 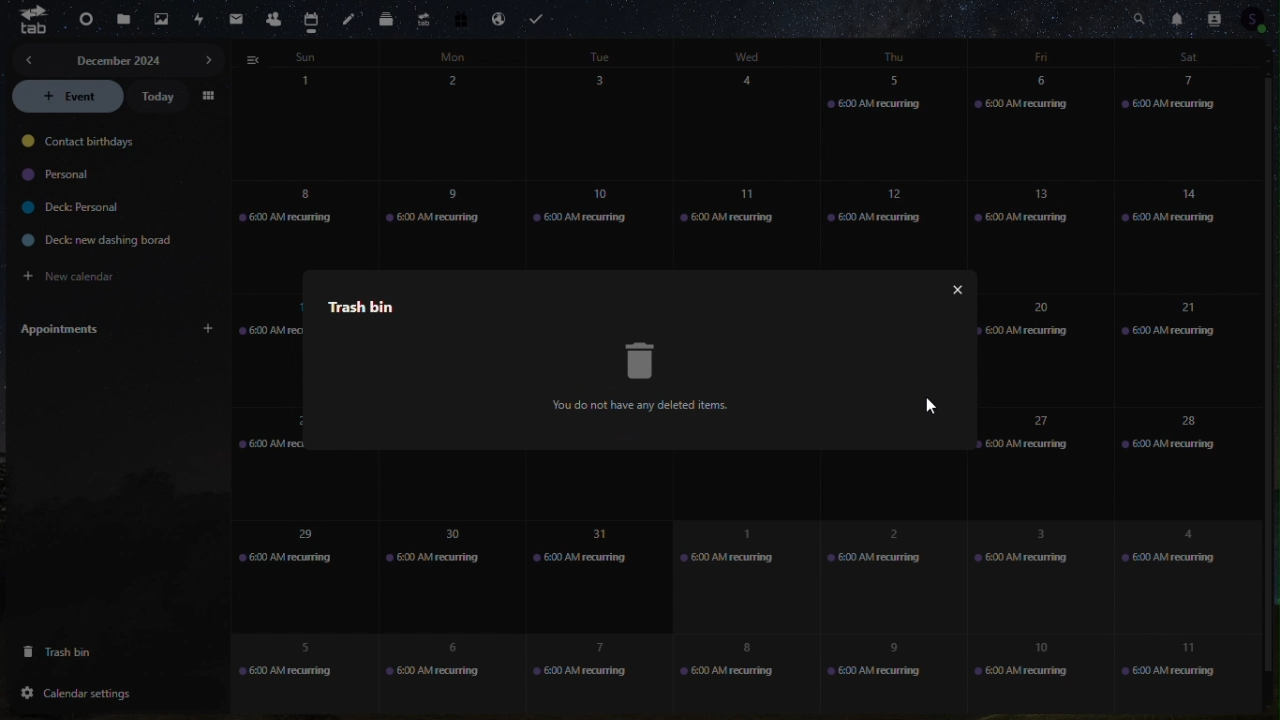 What do you see at coordinates (541, 16) in the screenshot?
I see `Task` at bounding box center [541, 16].